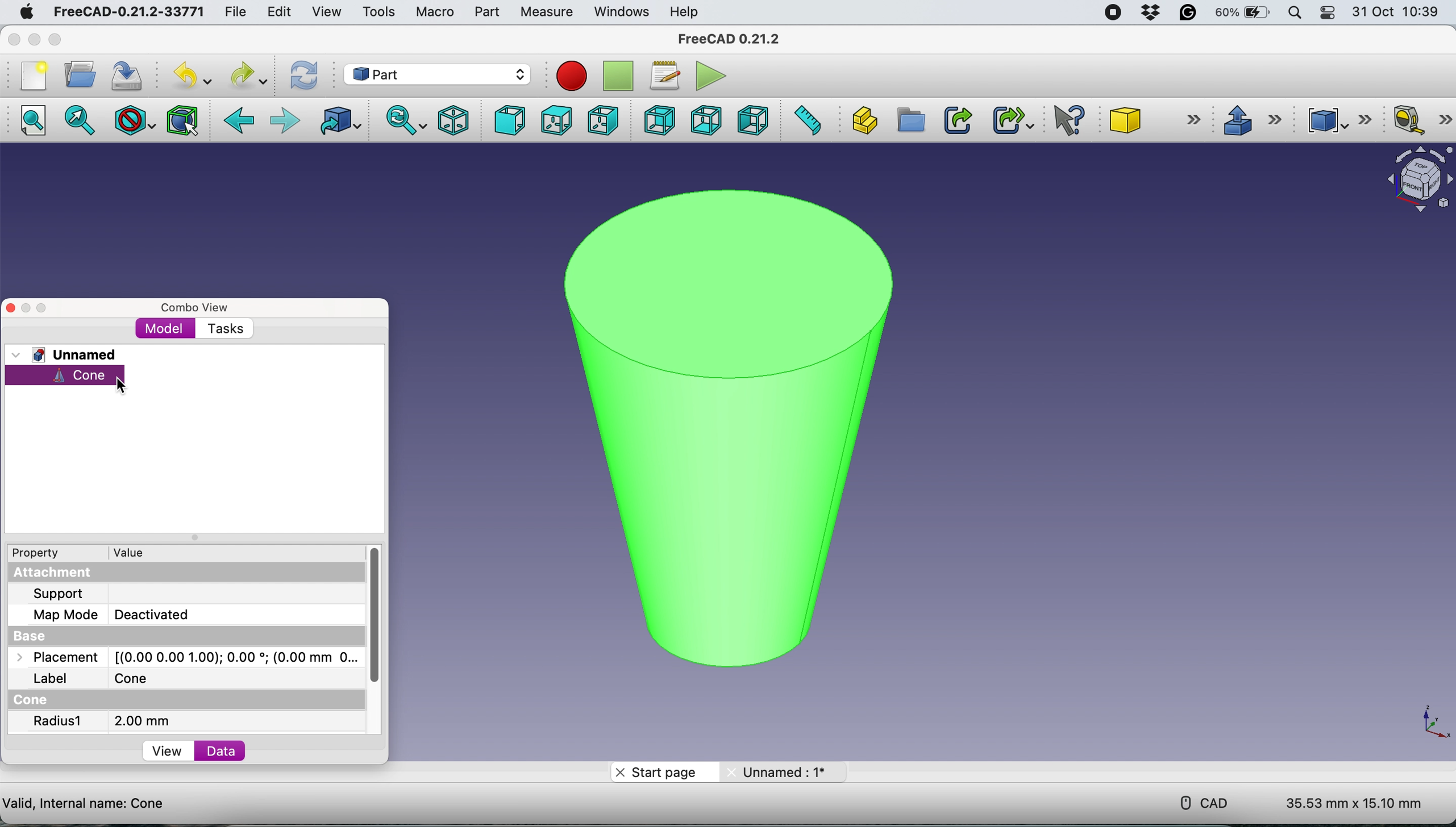  What do you see at coordinates (225, 329) in the screenshot?
I see `tasks` at bounding box center [225, 329].